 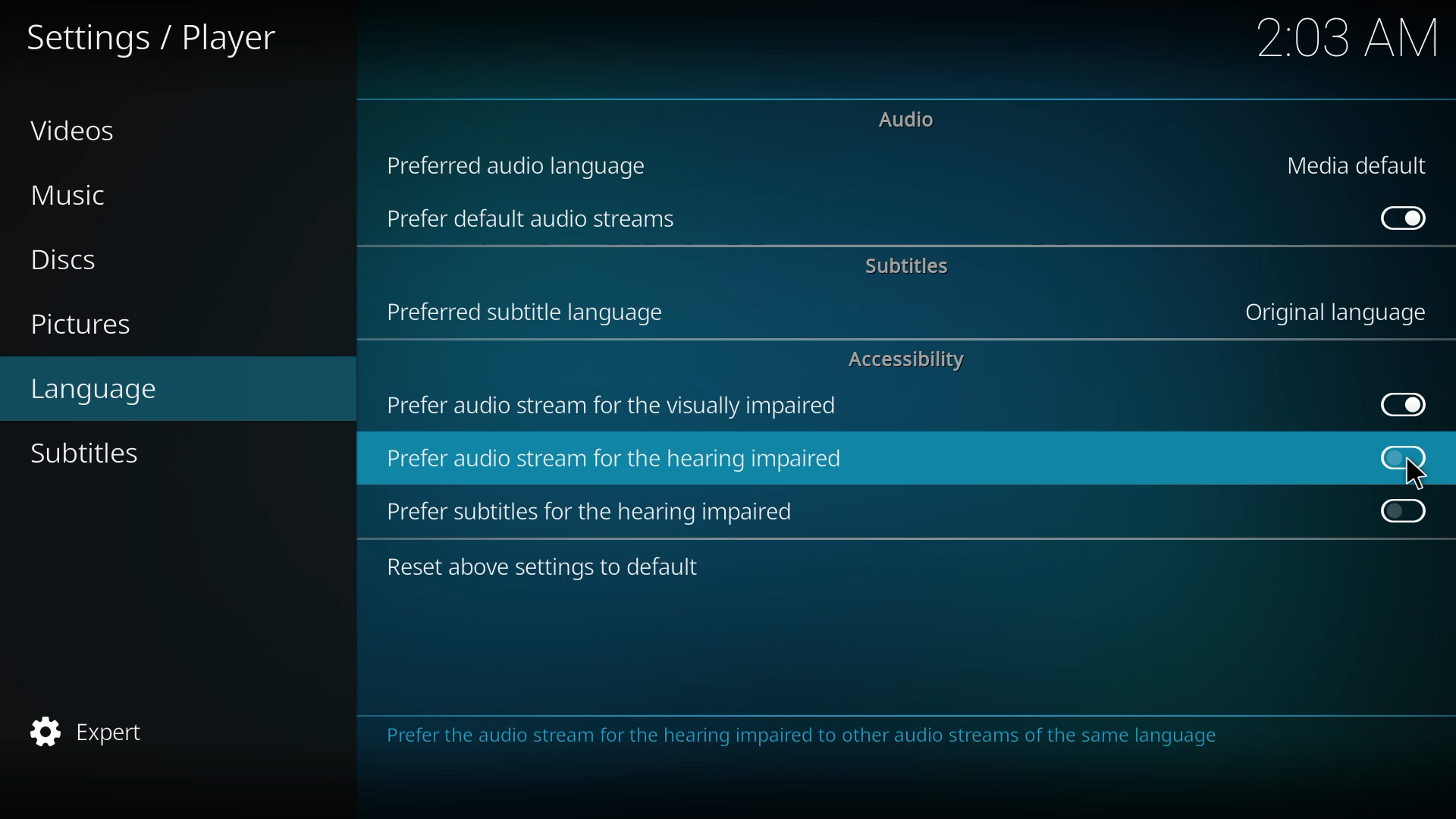 I want to click on audio, so click(x=906, y=118).